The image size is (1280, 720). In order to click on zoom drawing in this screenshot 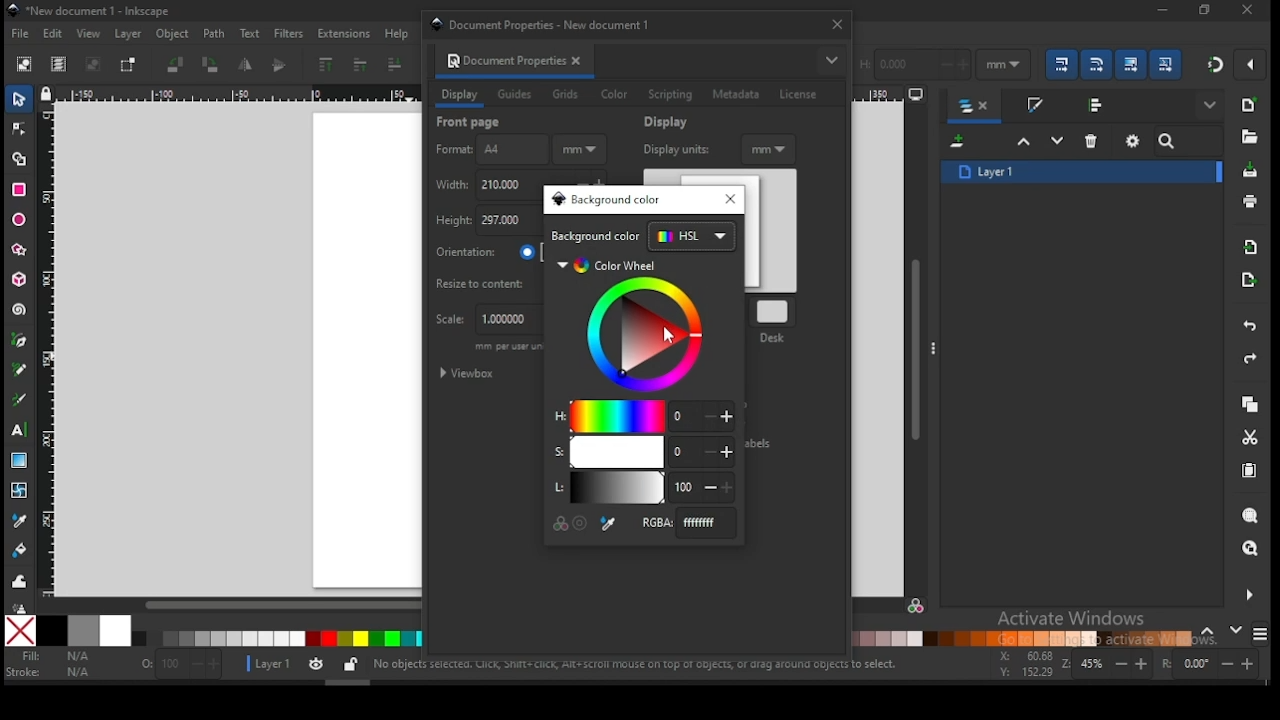, I will do `click(1251, 550)`.